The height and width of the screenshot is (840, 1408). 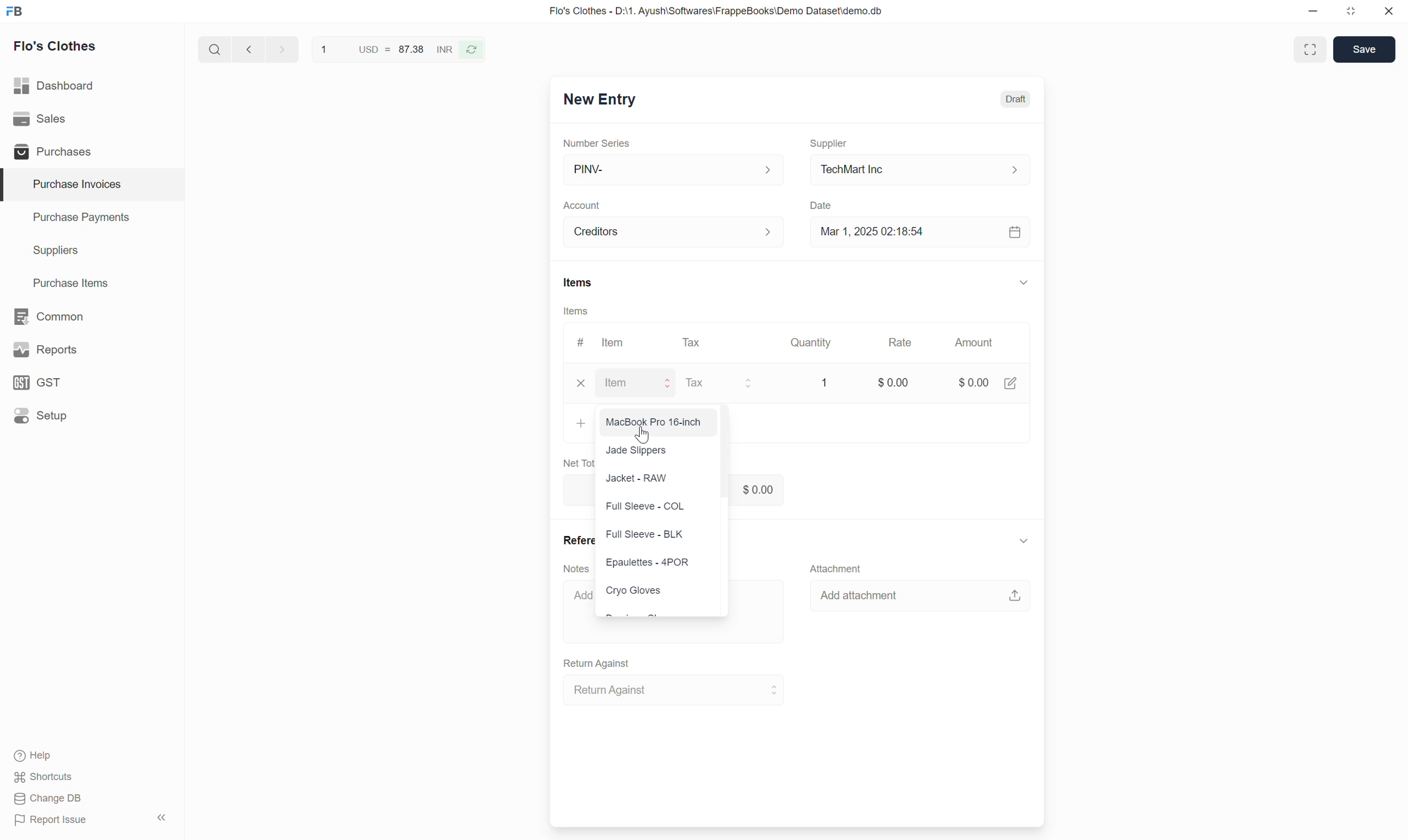 I want to click on Creditors, so click(x=675, y=232).